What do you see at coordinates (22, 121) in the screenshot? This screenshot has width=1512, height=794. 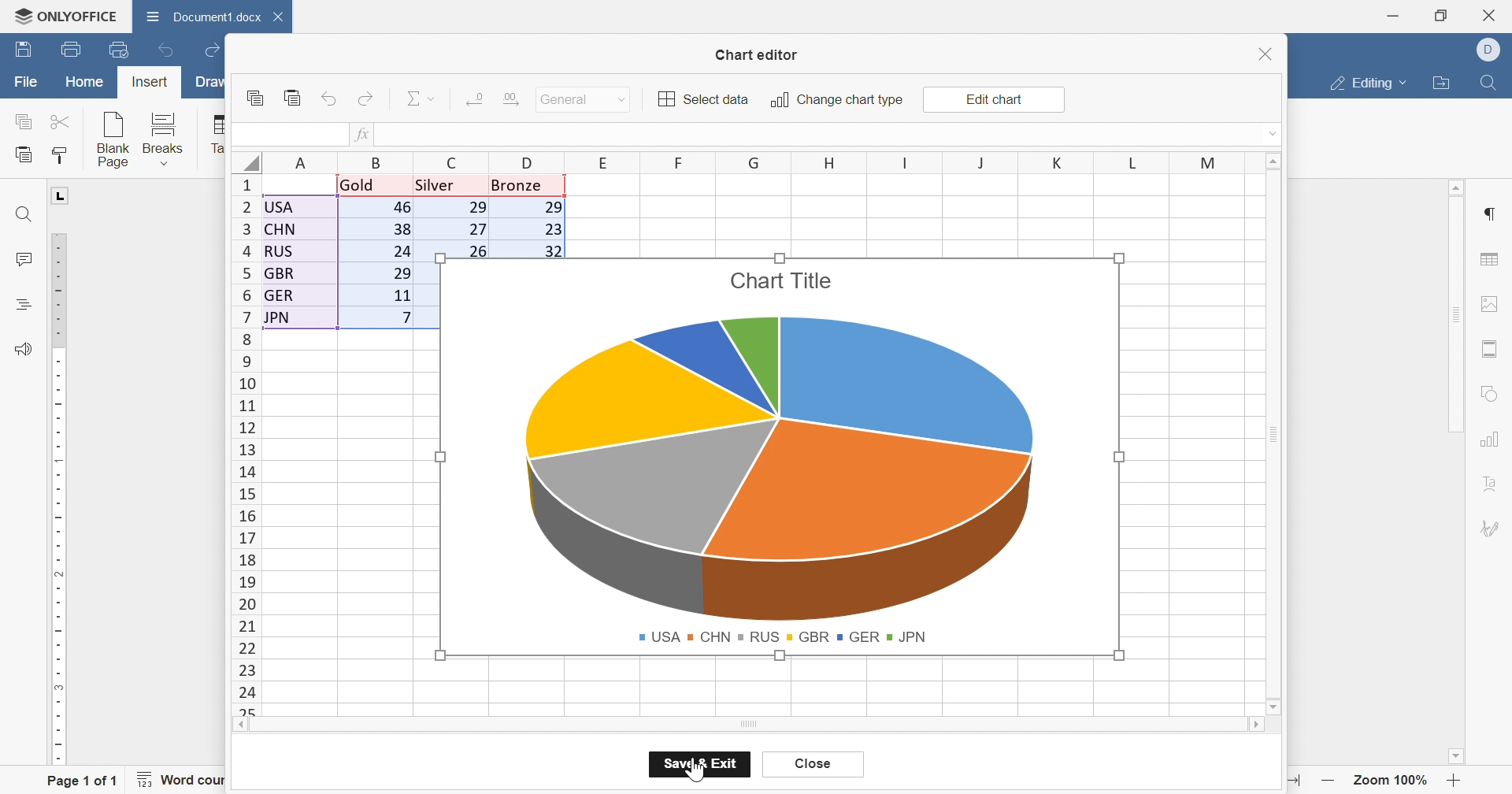 I see `Copy` at bounding box center [22, 121].